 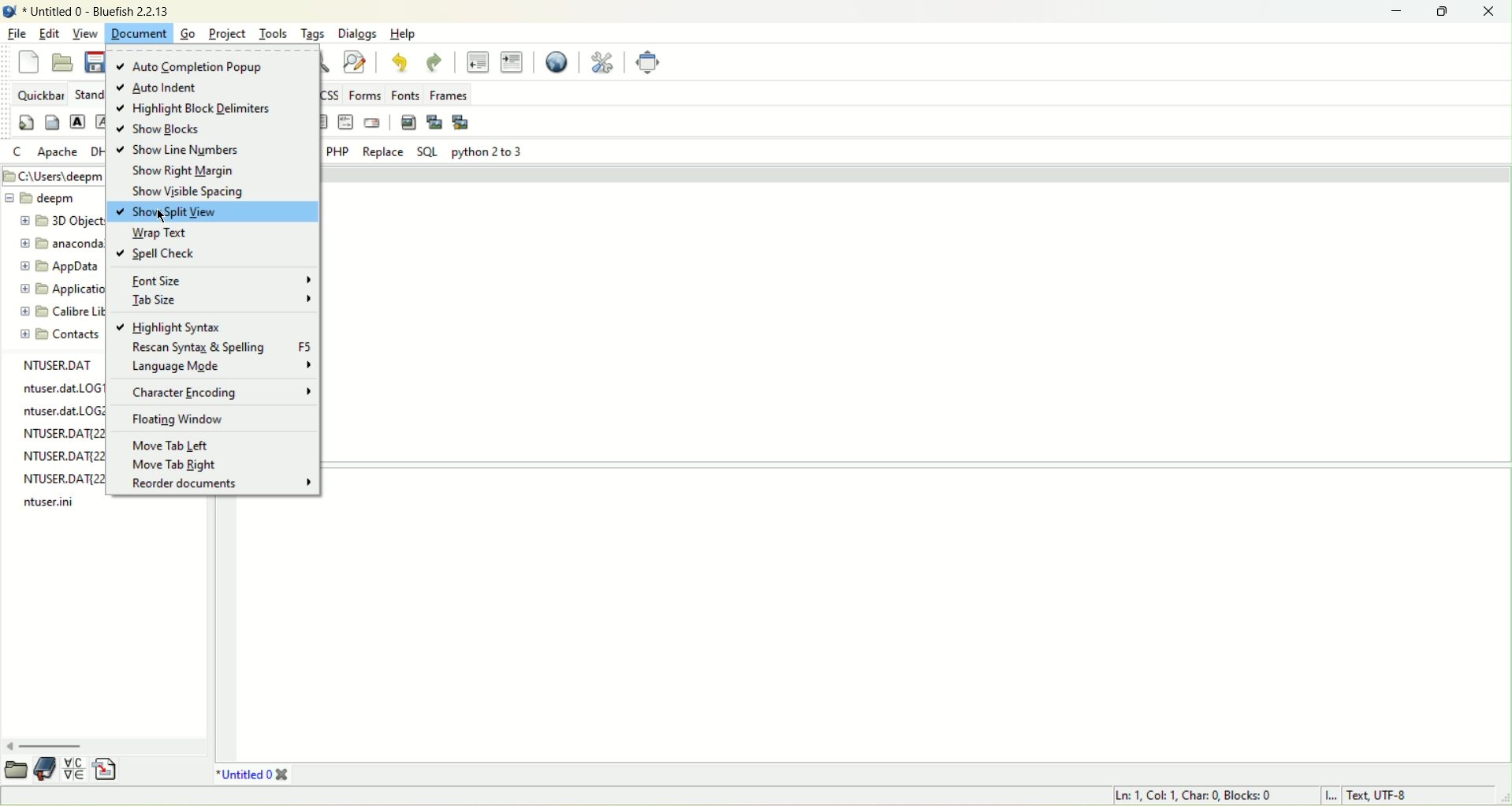 What do you see at coordinates (477, 62) in the screenshot?
I see `unindent` at bounding box center [477, 62].